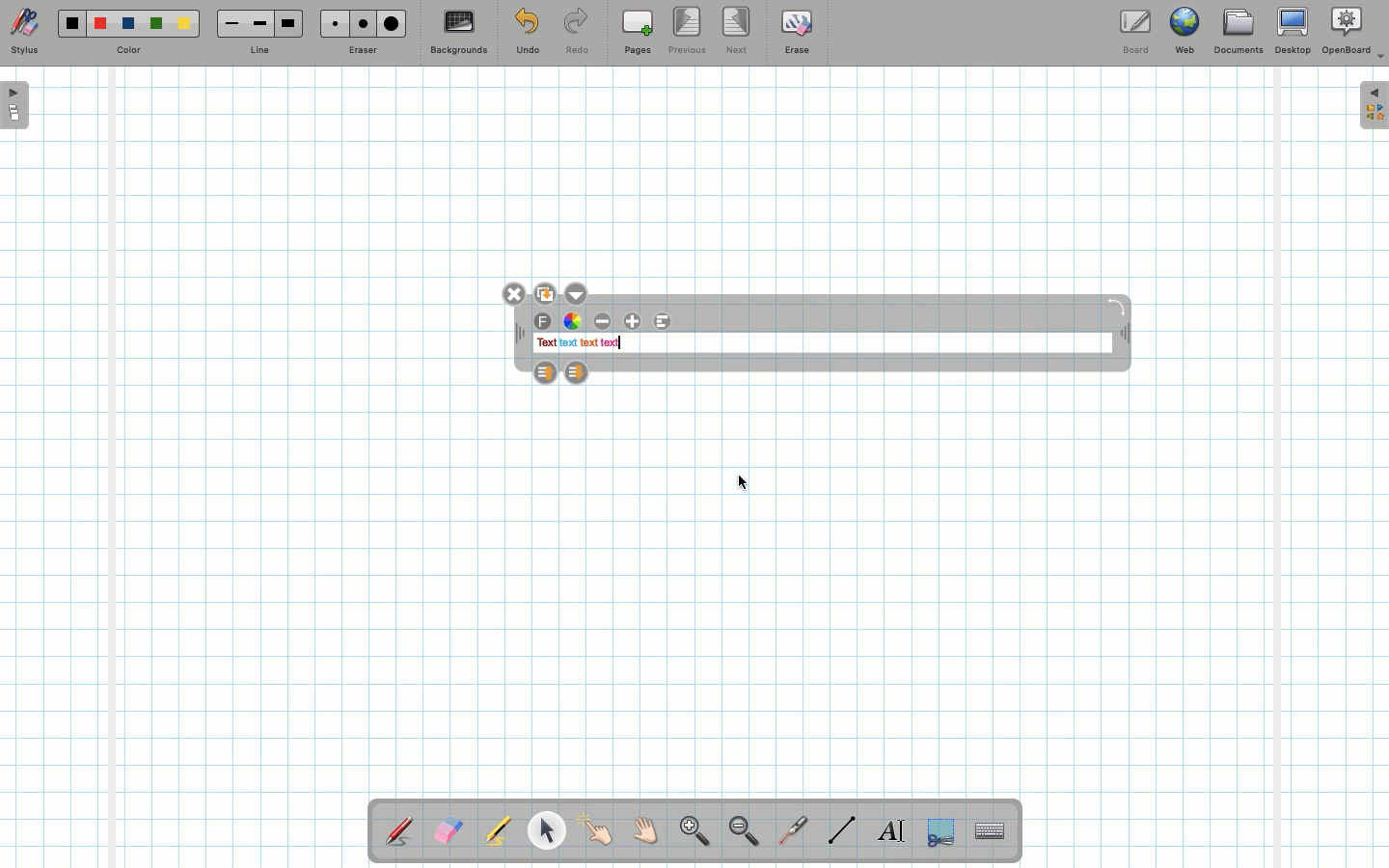 The width and height of the screenshot is (1389, 868). I want to click on Backgrounds, so click(458, 33).